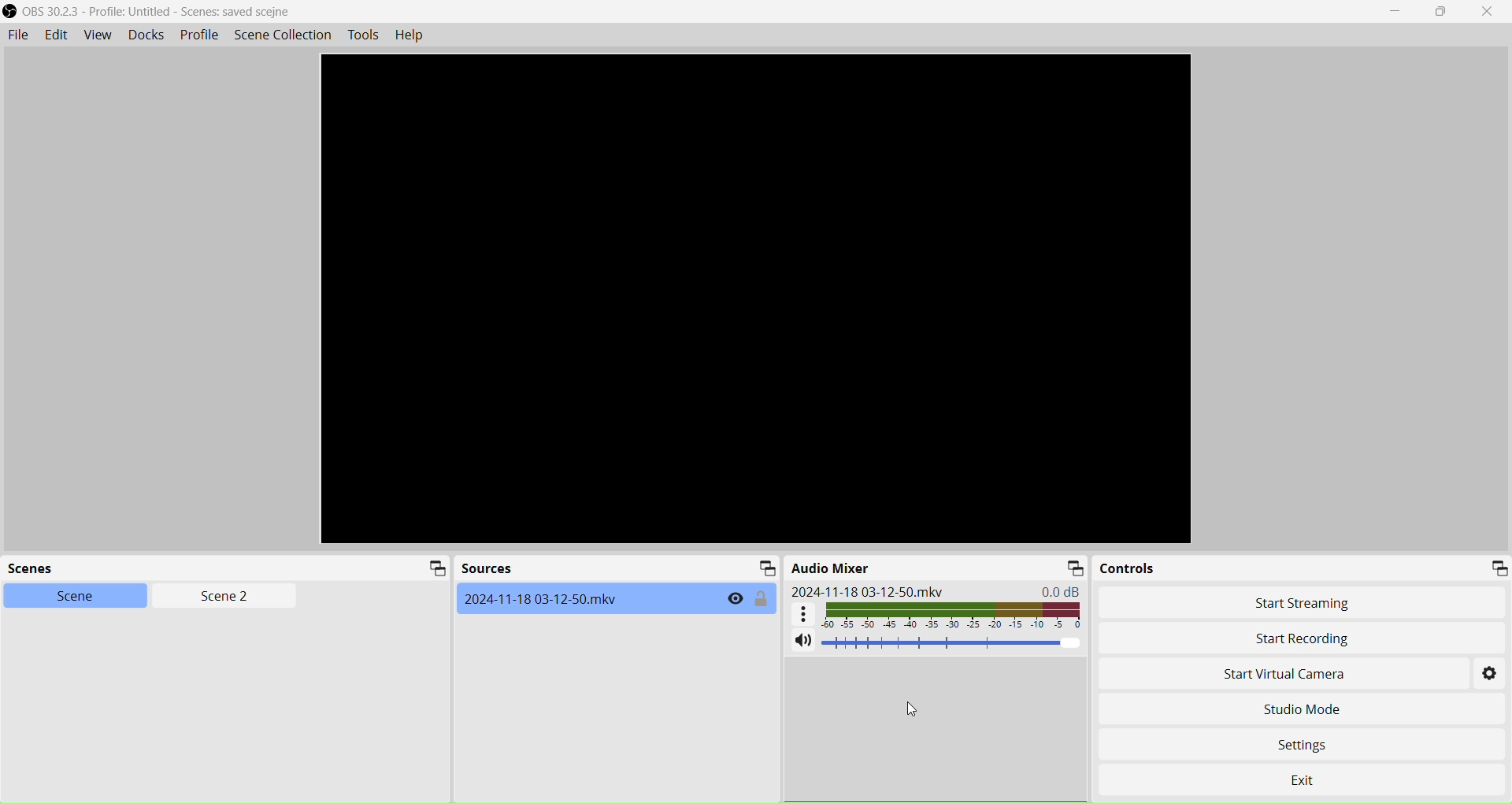 The width and height of the screenshot is (1512, 803). Describe the element at coordinates (544, 598) in the screenshot. I see `WebCam Source` at that location.